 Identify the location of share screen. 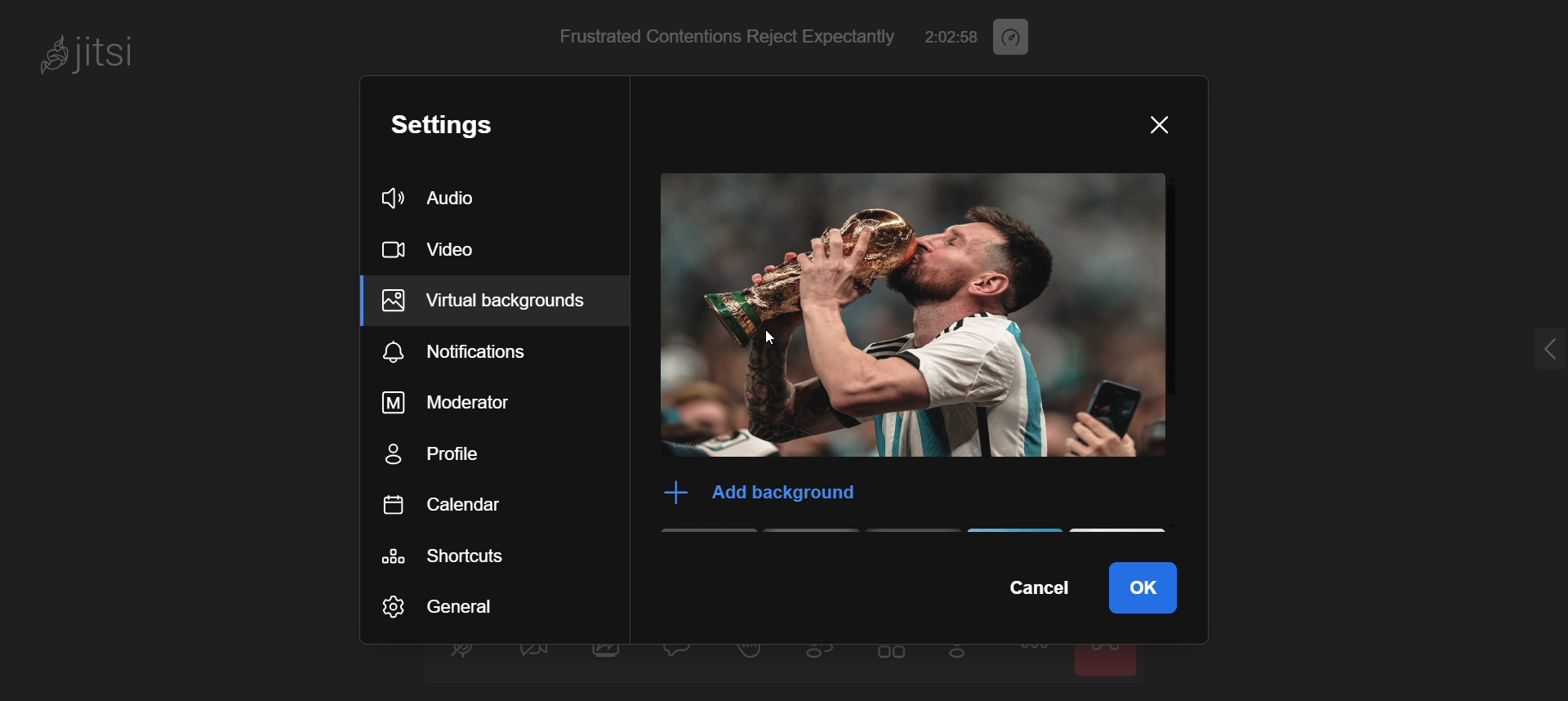
(608, 658).